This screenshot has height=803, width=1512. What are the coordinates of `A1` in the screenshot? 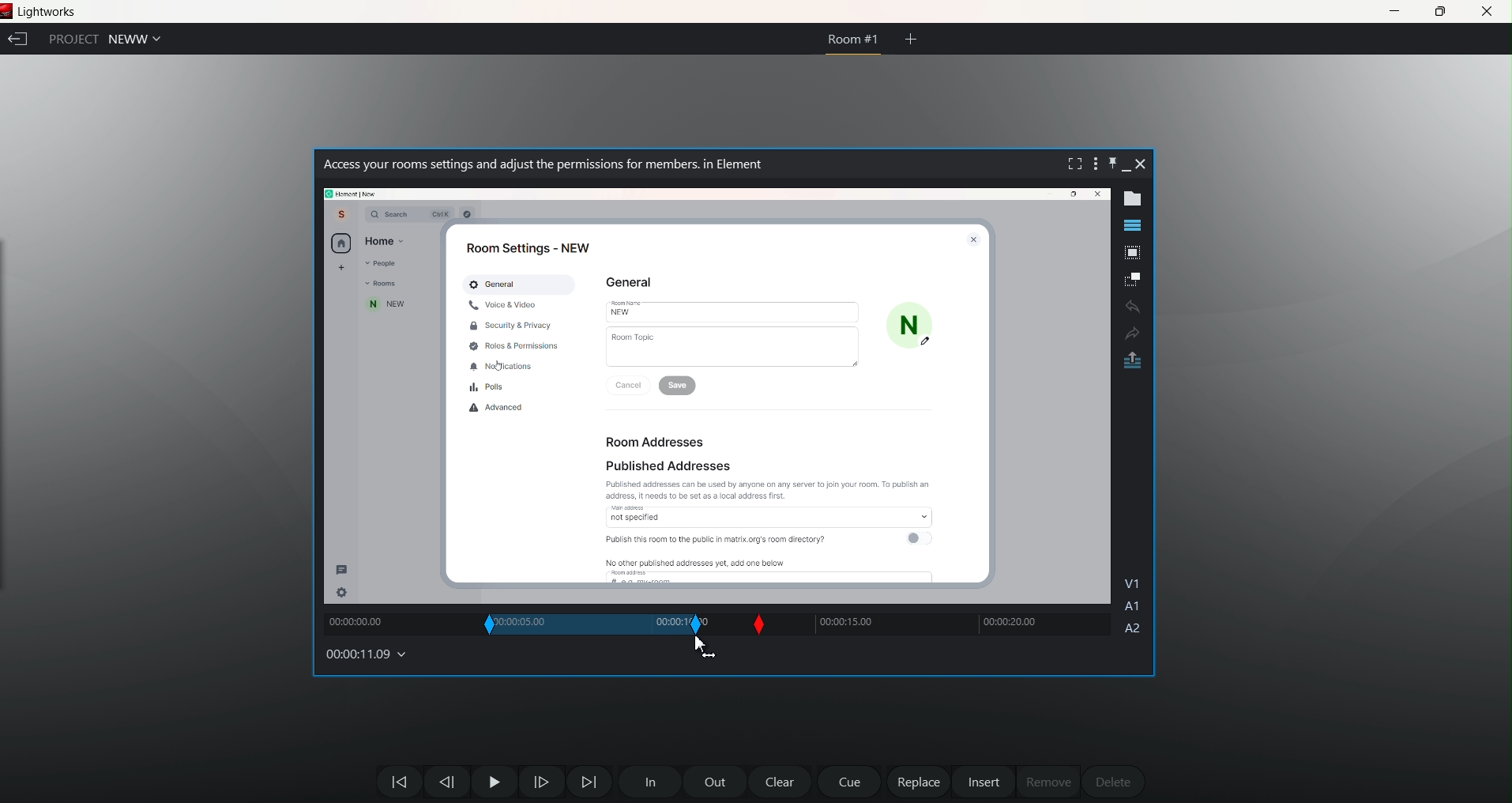 It's located at (1131, 608).